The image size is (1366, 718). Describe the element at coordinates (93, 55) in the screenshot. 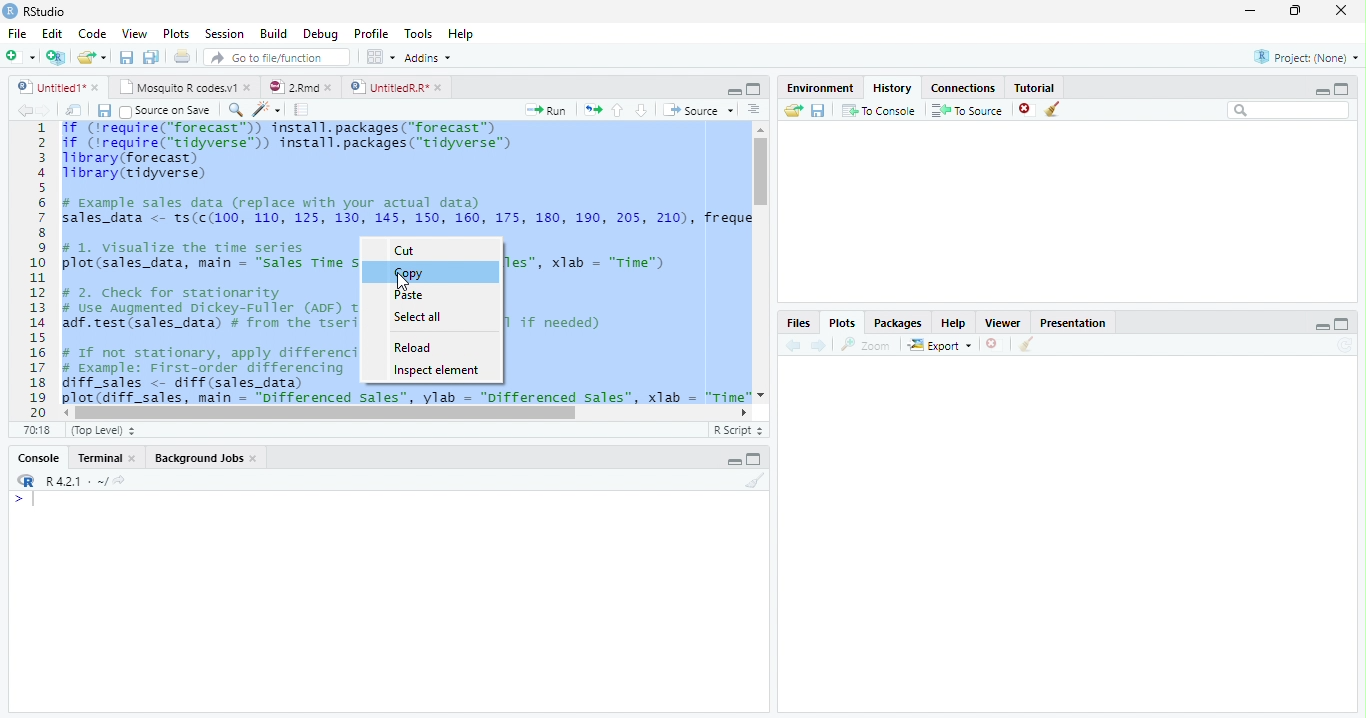

I see `Open Folder` at that location.